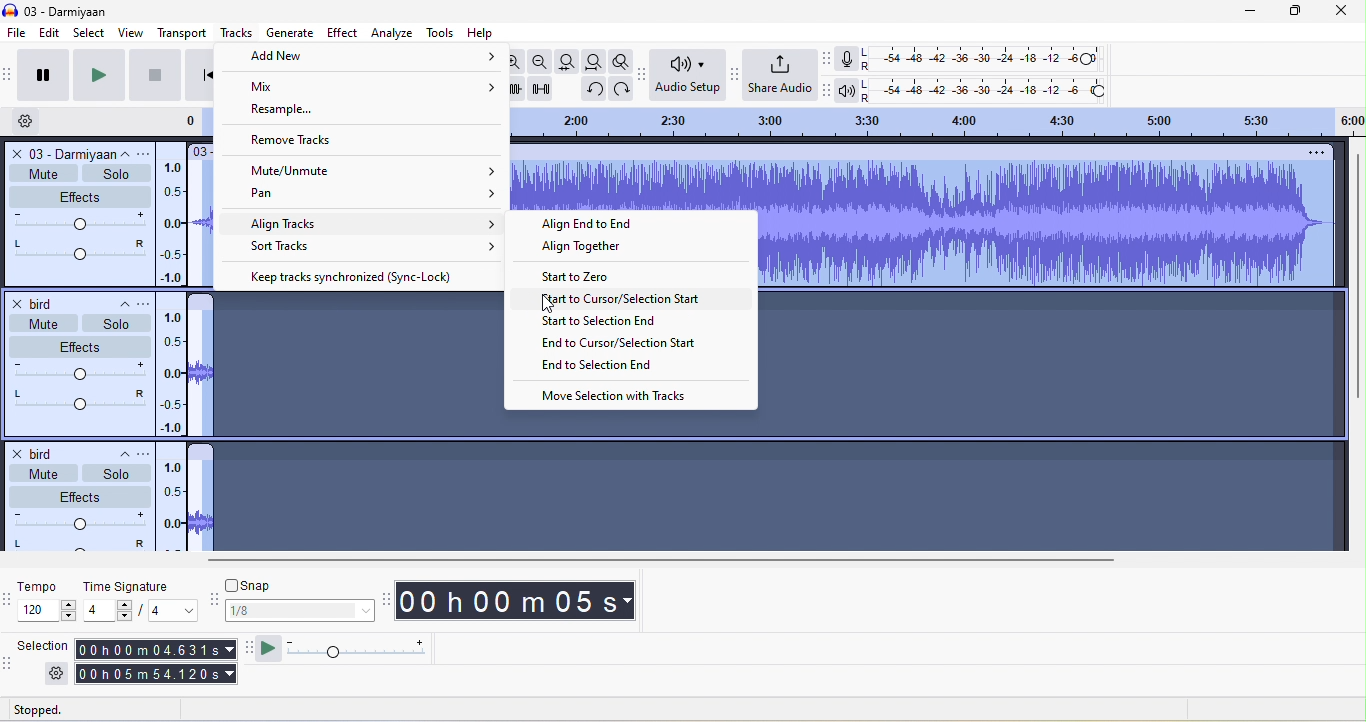 The width and height of the screenshot is (1366, 722). I want to click on playback level, so click(989, 90).